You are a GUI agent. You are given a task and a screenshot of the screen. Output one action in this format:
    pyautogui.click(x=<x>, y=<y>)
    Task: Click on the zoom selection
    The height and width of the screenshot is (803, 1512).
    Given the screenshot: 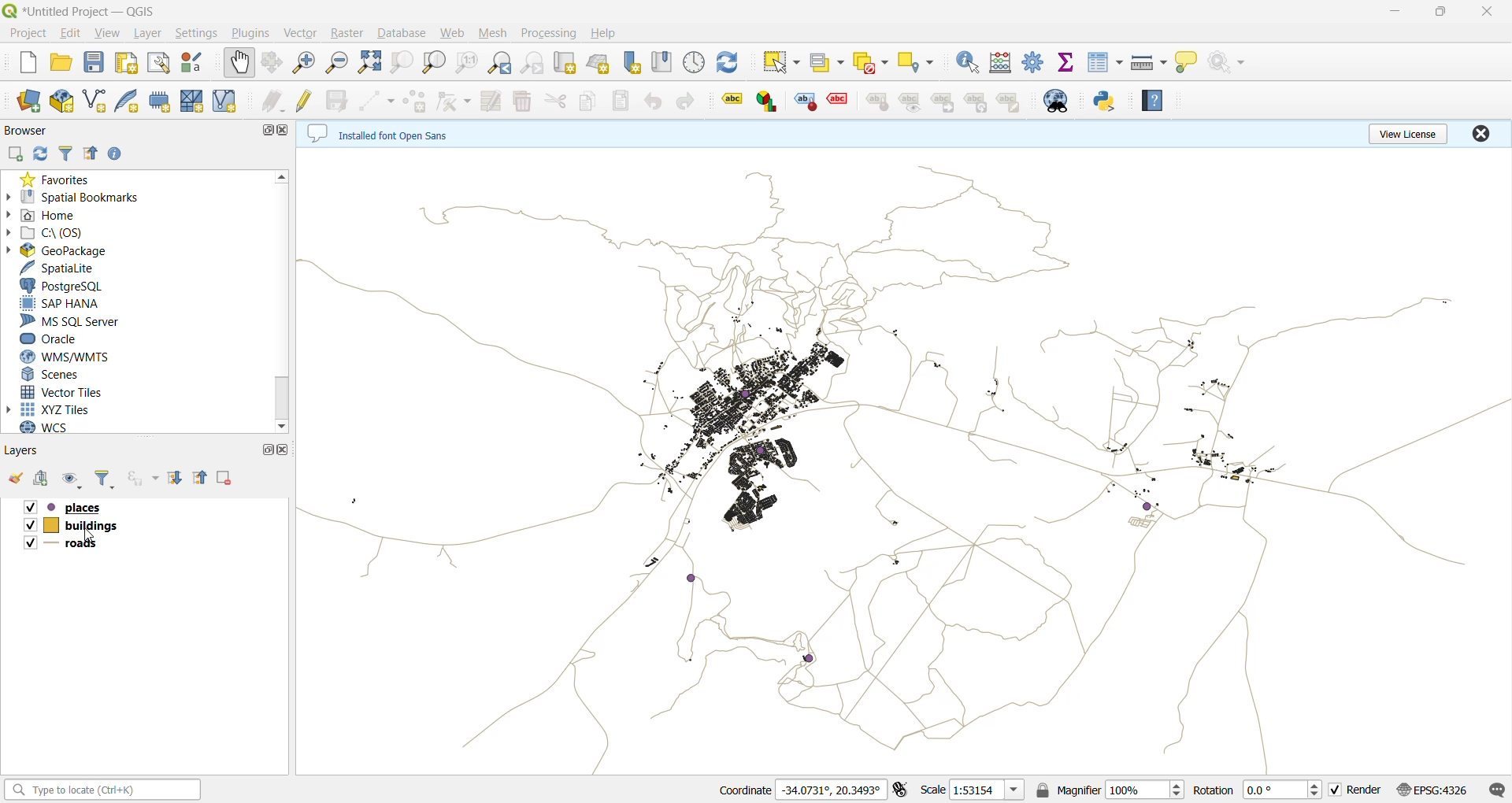 What is the action you would take?
    pyautogui.click(x=402, y=65)
    